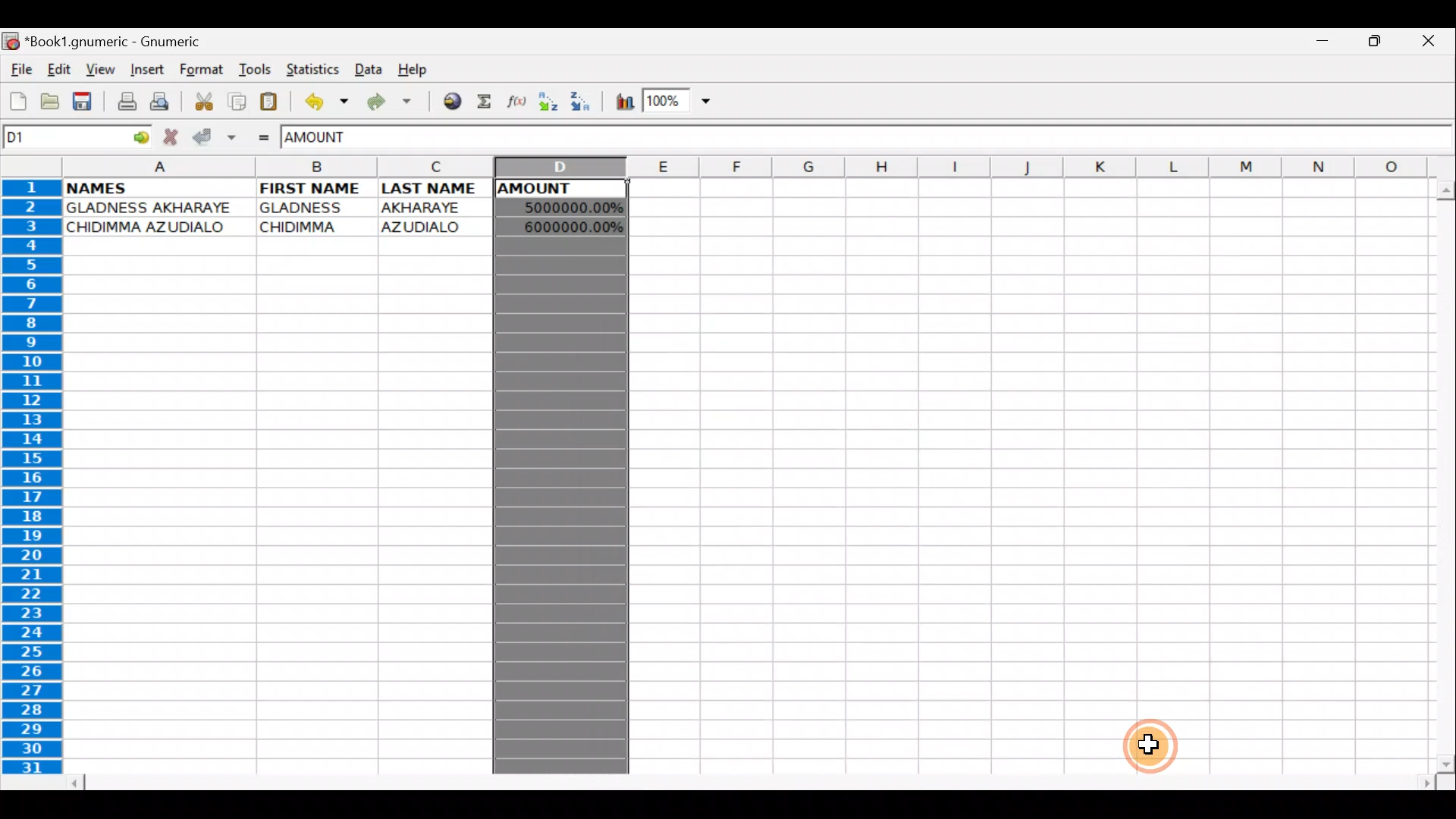 This screenshot has height=819, width=1456. What do you see at coordinates (17, 102) in the screenshot?
I see `Create new workbook` at bounding box center [17, 102].